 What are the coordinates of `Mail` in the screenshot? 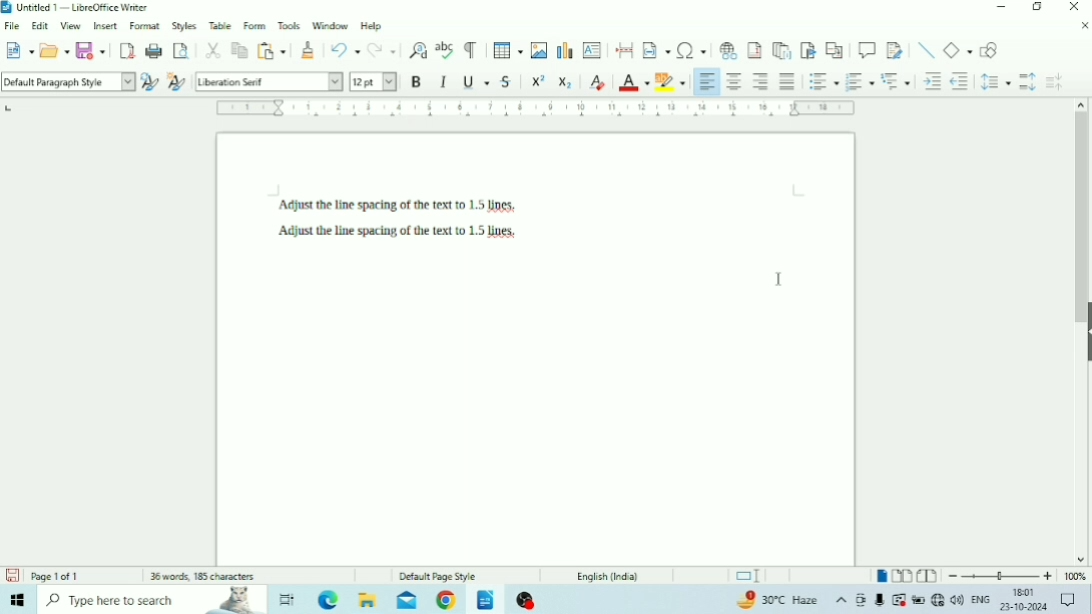 It's located at (408, 600).